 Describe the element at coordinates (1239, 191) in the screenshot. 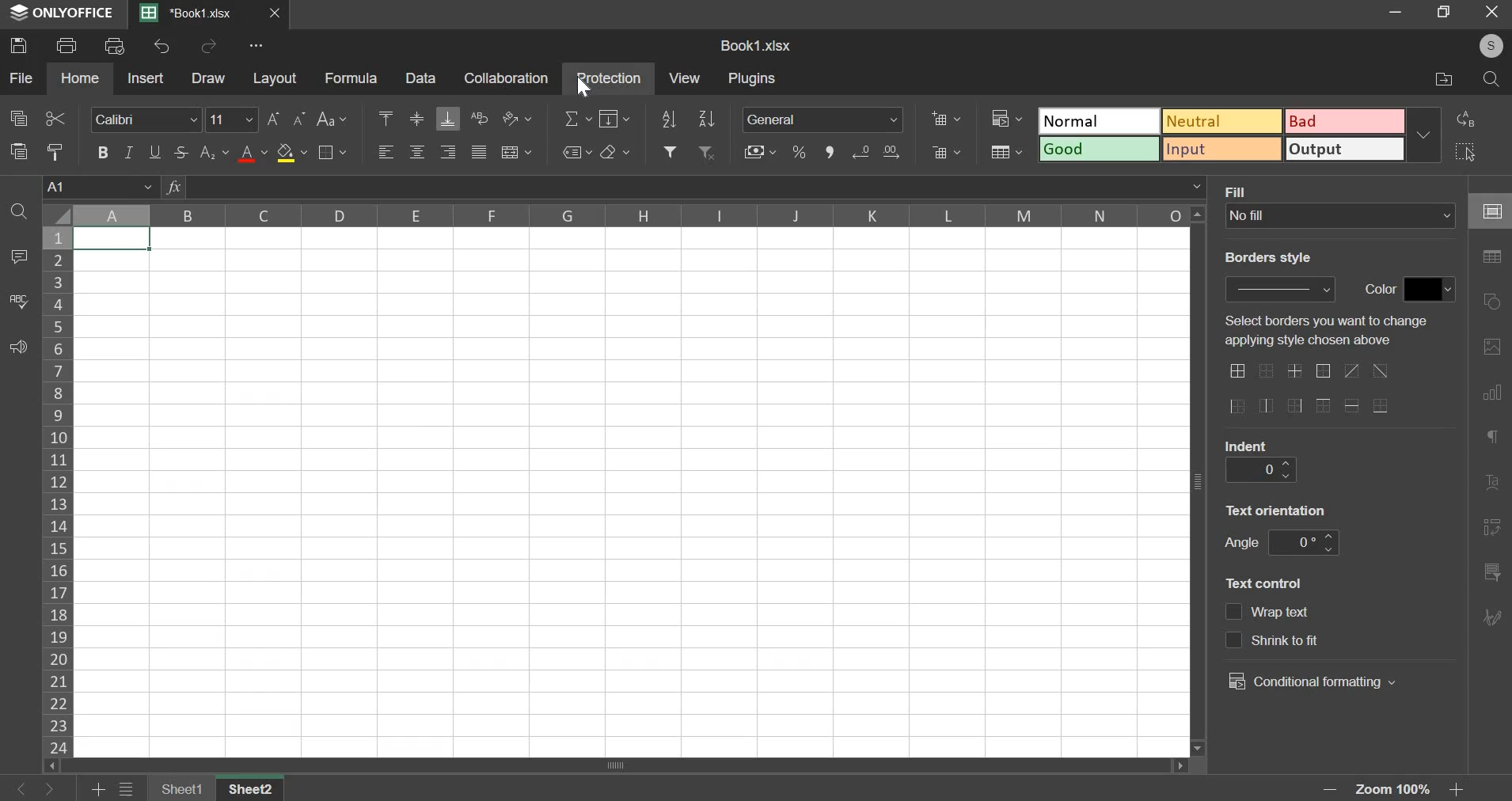

I see `Fill` at that location.